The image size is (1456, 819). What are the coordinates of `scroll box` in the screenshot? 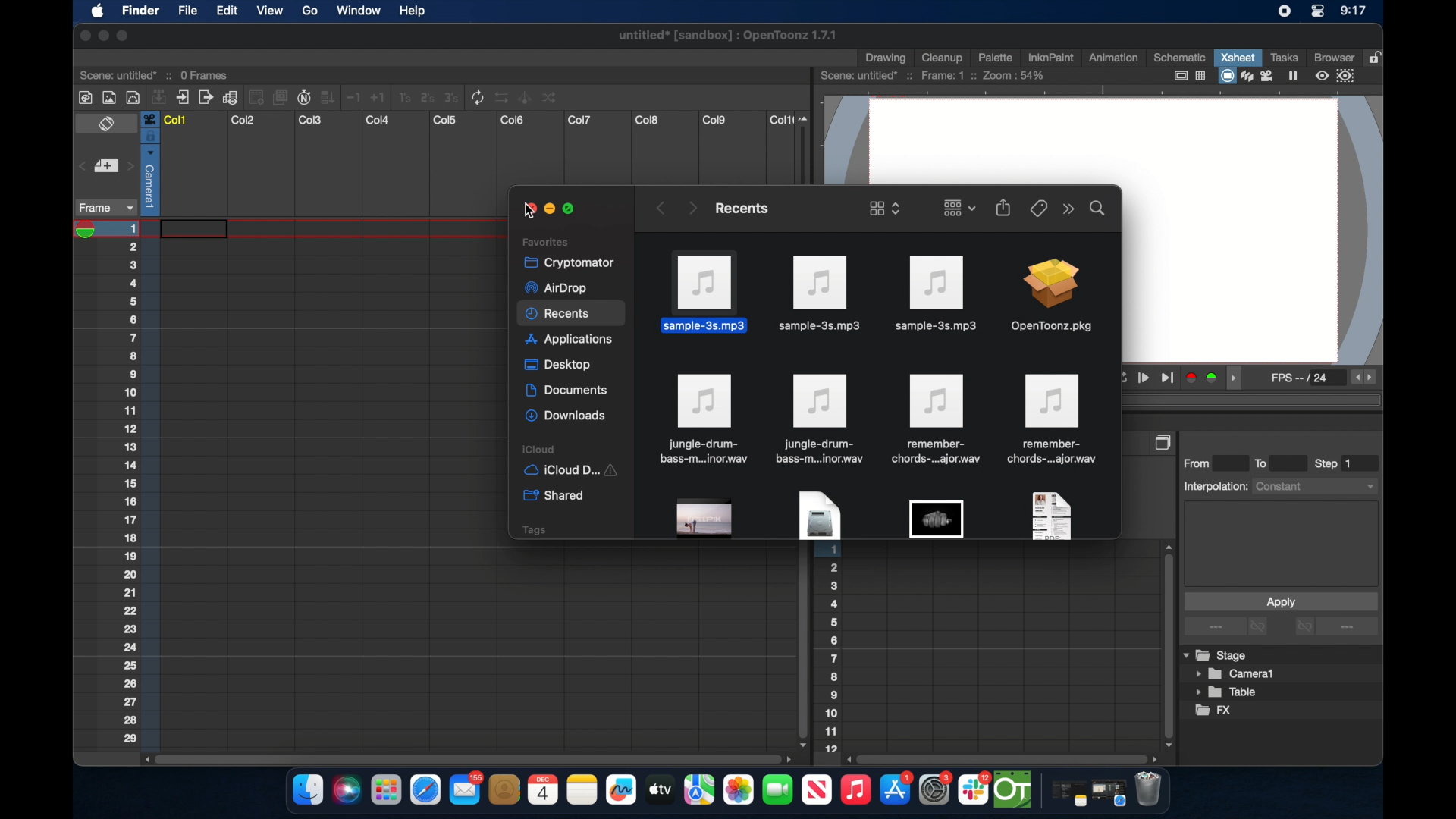 It's located at (466, 758).